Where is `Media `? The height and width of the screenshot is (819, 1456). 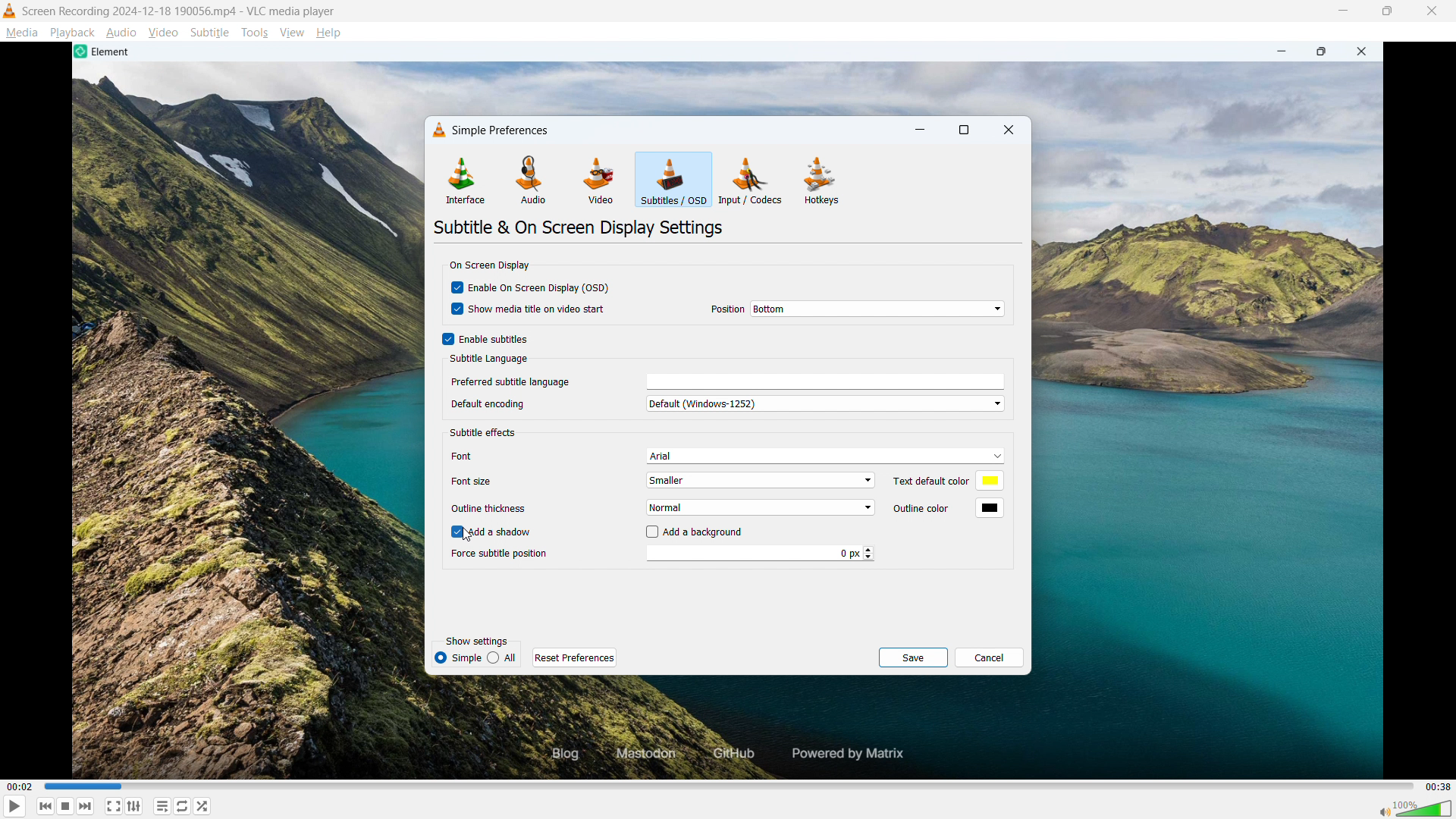
Media  is located at coordinates (21, 33).